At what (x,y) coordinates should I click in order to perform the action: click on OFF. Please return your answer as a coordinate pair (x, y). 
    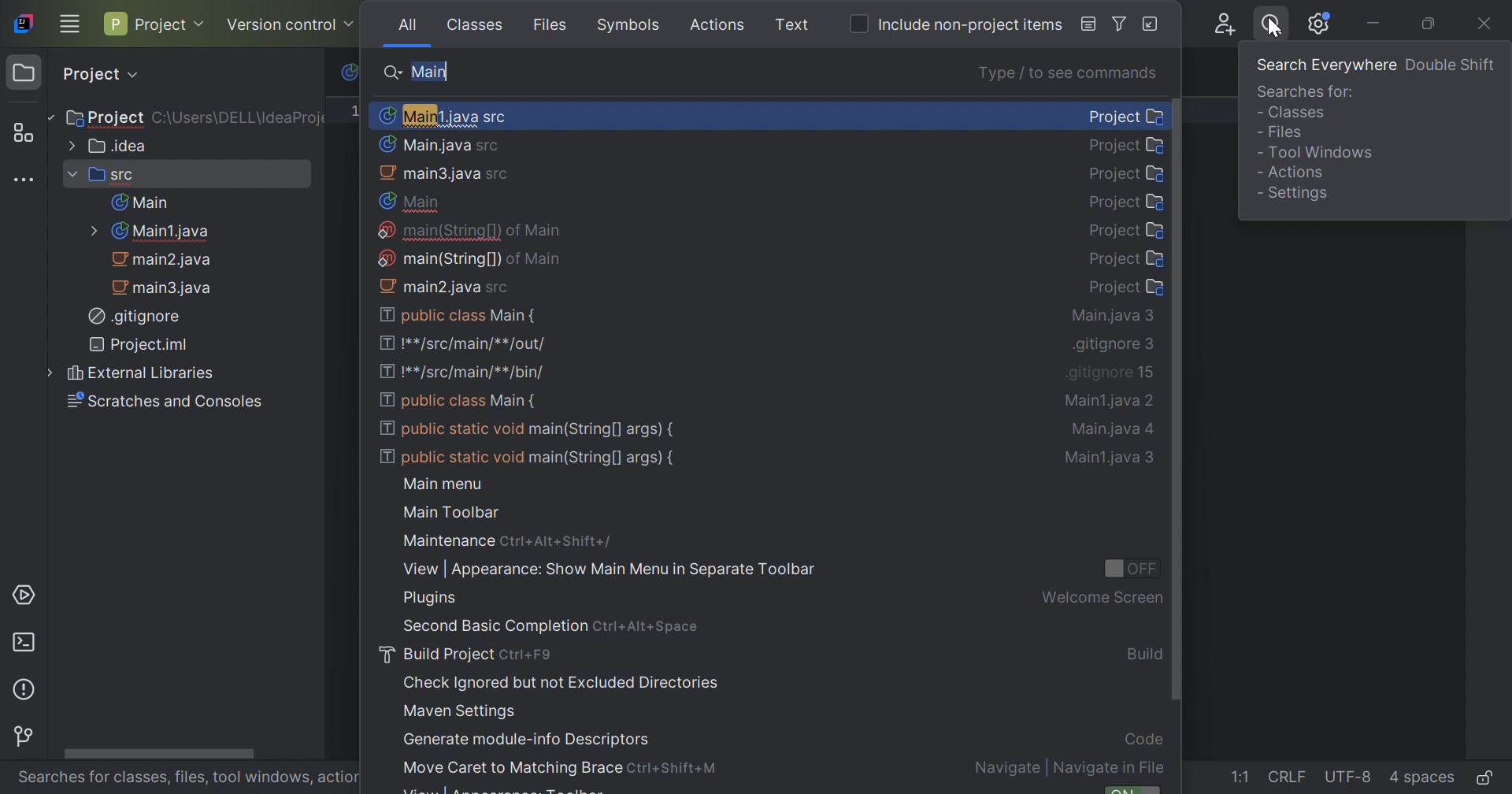
    Looking at the image, I should click on (1130, 567).